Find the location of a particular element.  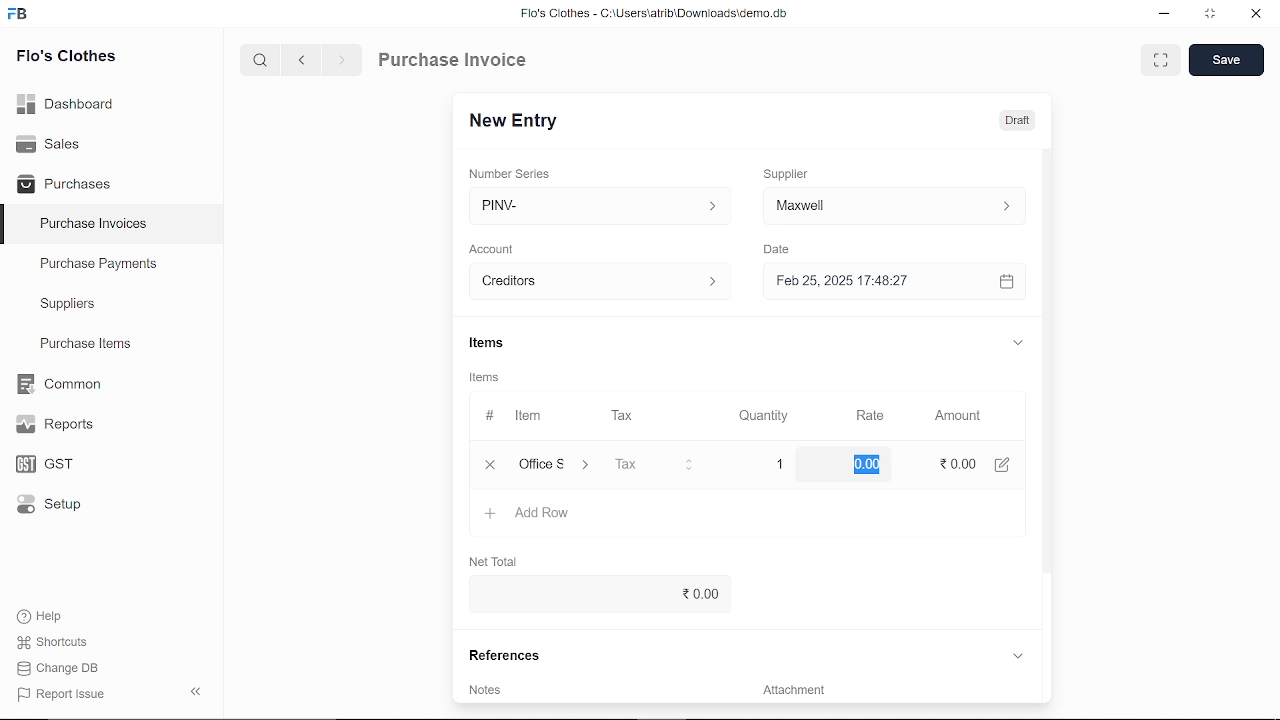

 Add Row is located at coordinates (529, 514).